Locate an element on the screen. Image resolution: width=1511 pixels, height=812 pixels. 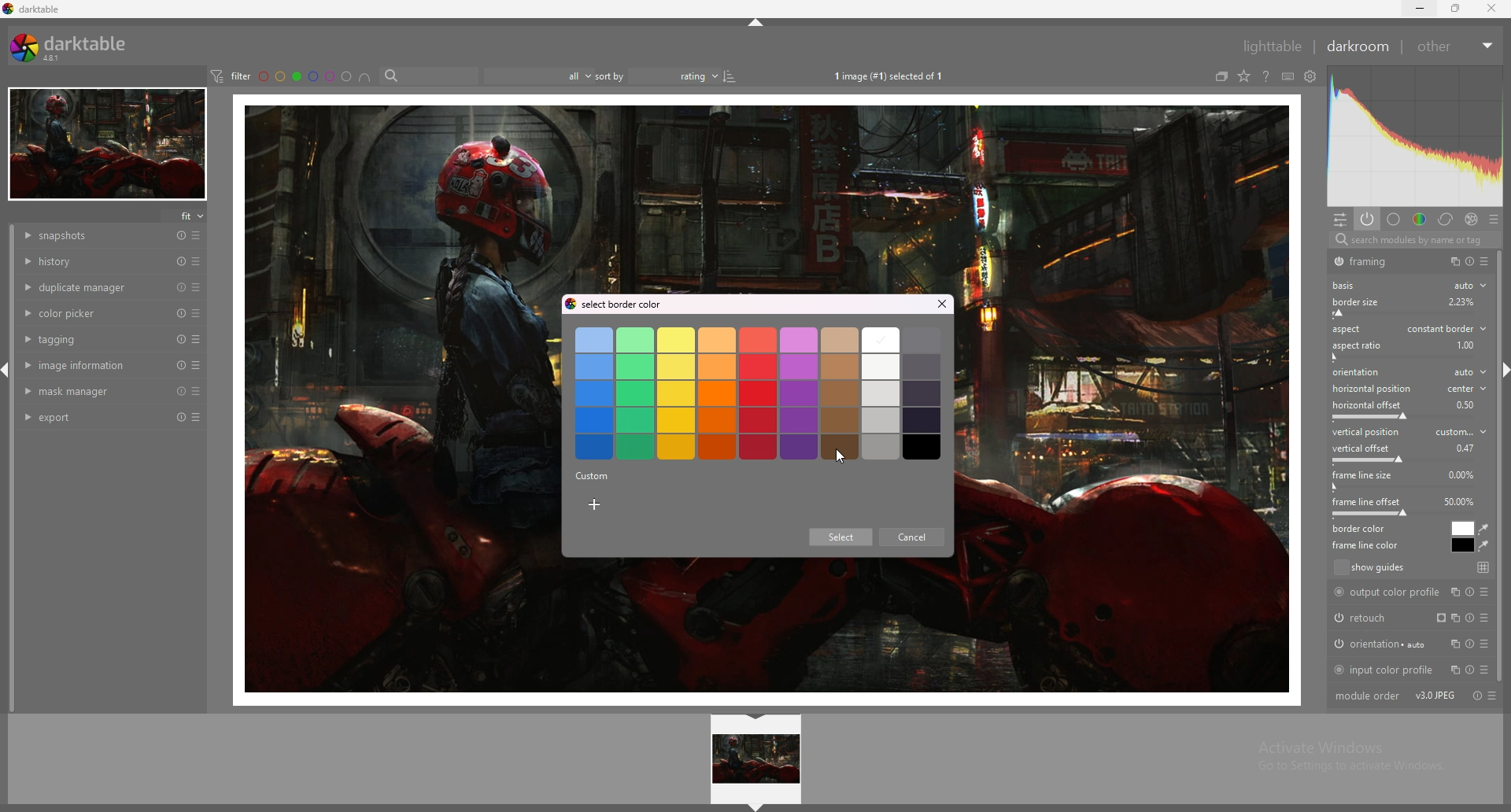
 is located at coordinates (600, 477).